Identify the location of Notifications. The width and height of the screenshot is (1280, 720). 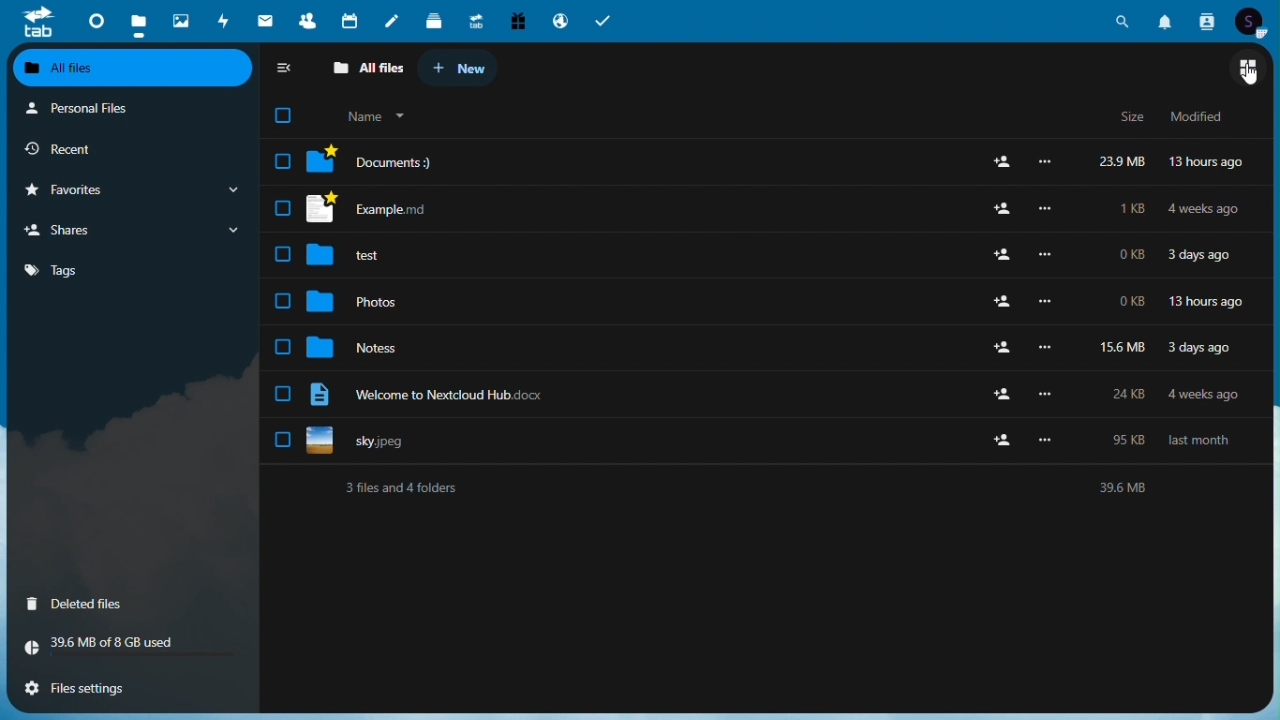
(1167, 20).